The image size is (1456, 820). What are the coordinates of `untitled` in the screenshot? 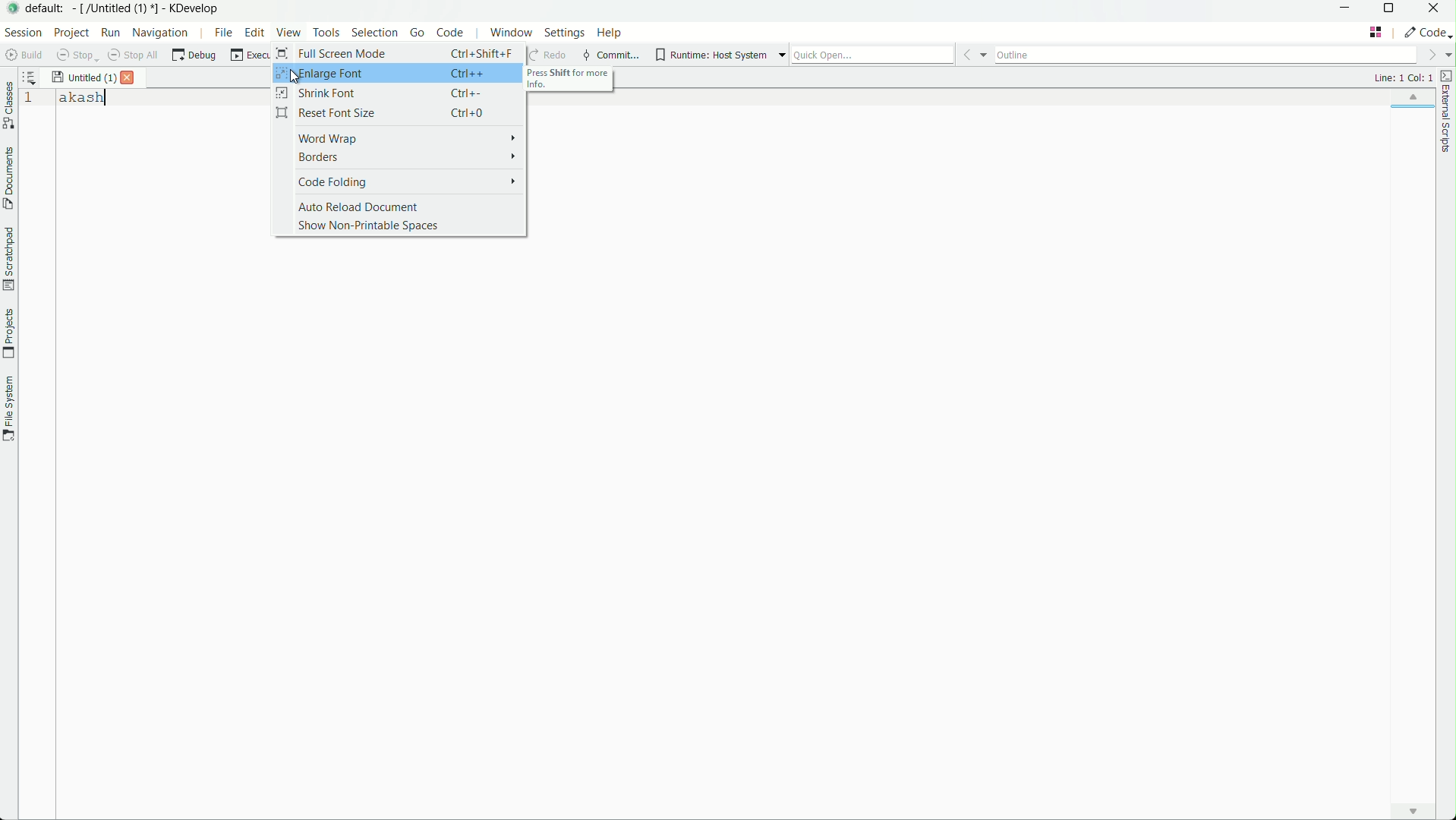 It's located at (84, 77).